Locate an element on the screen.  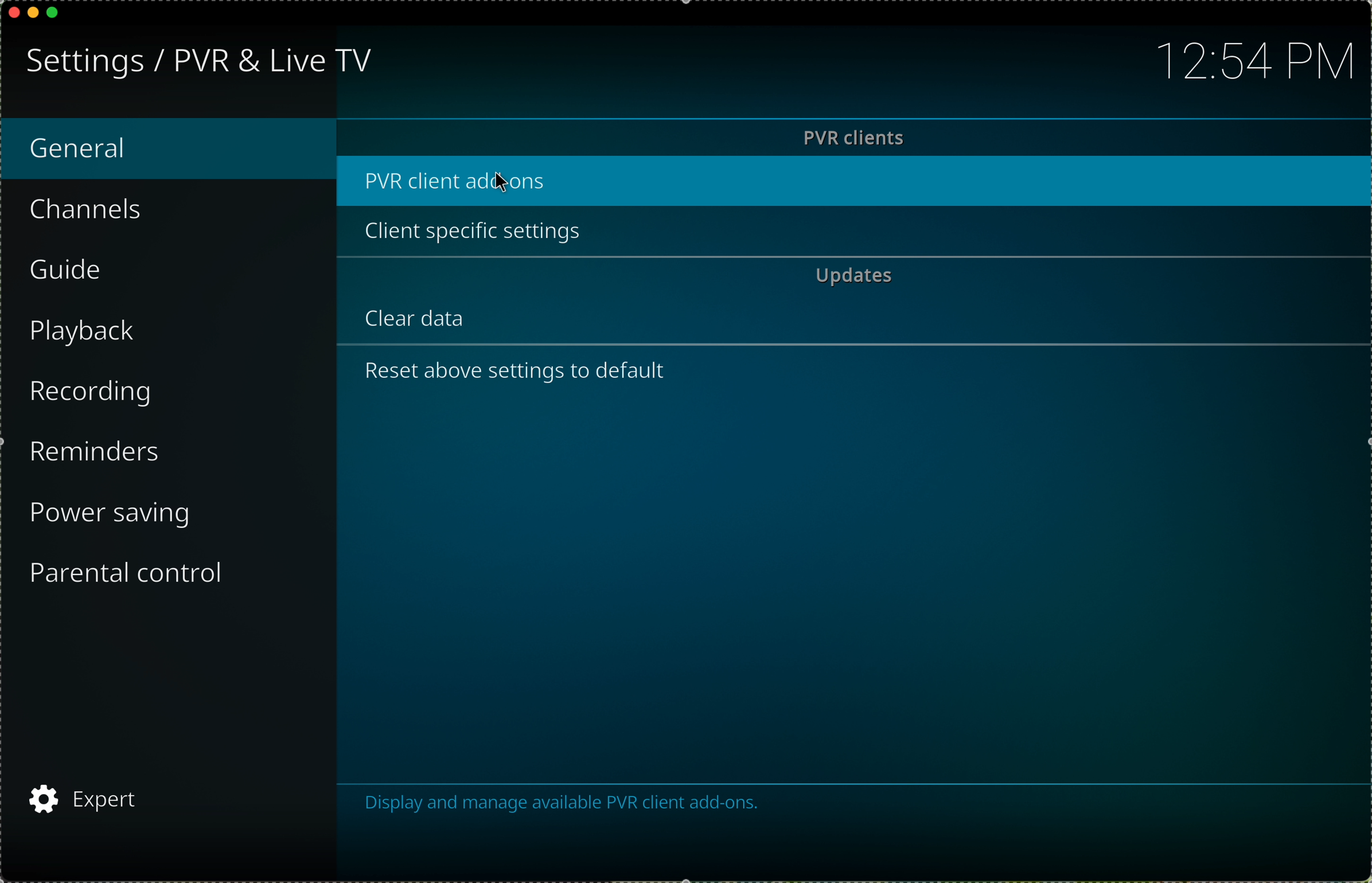
recording is located at coordinates (90, 393).